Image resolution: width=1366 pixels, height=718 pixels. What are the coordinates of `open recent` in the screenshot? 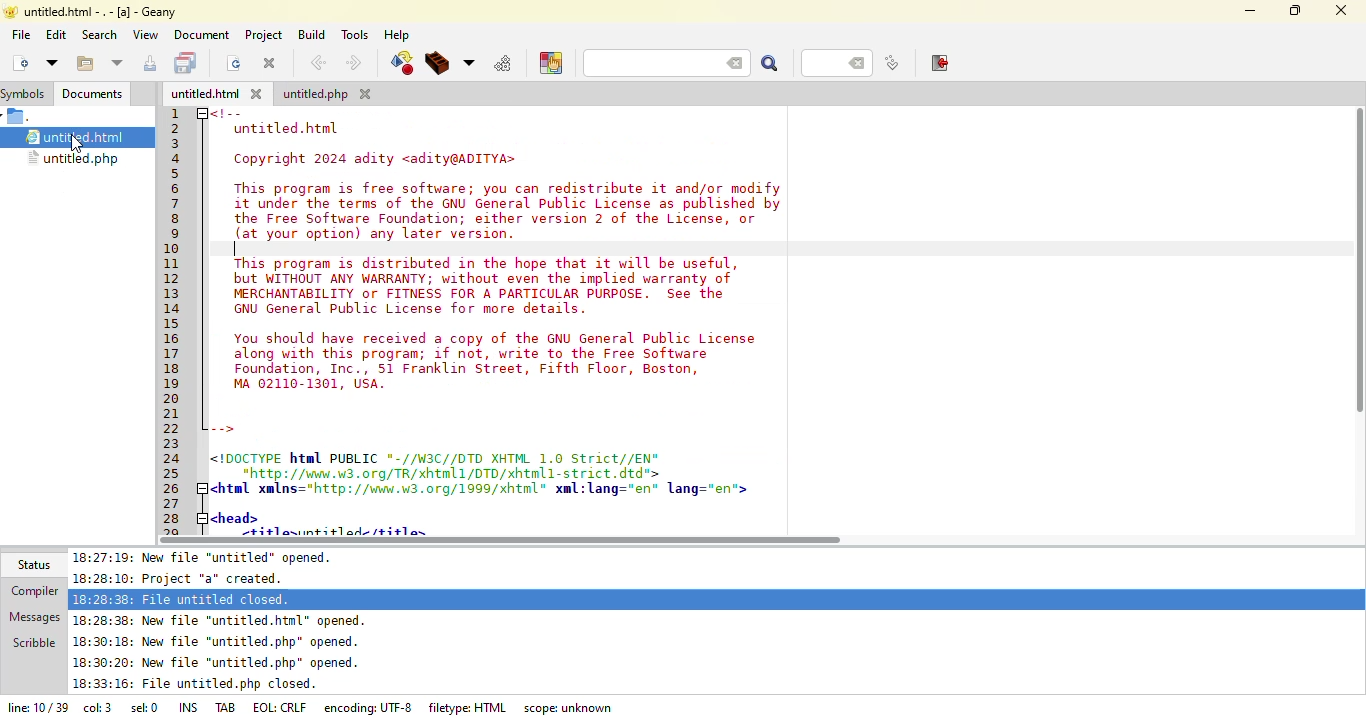 It's located at (118, 63).